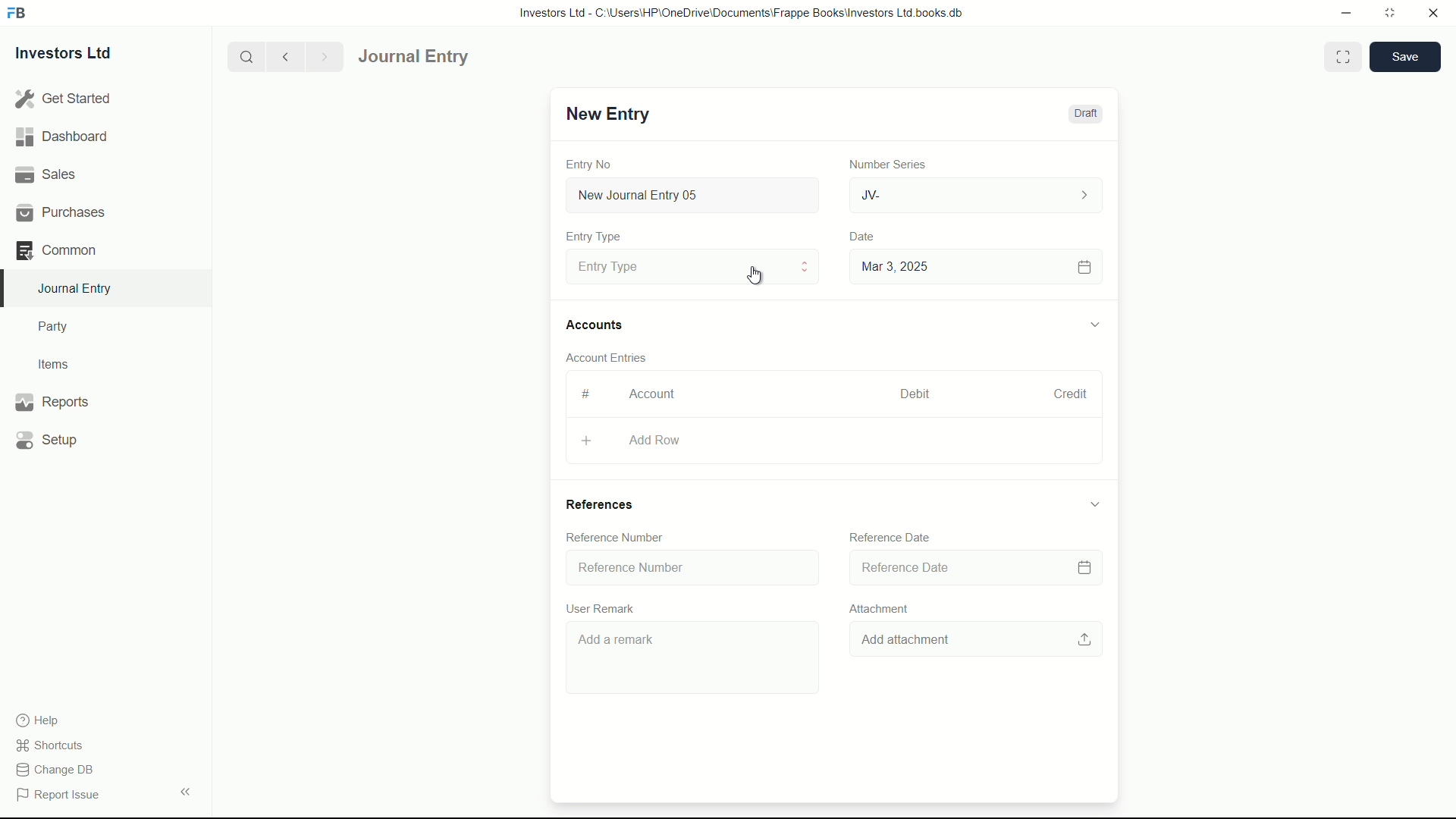 Image resolution: width=1456 pixels, height=819 pixels. What do you see at coordinates (743, 12) in the screenshot?
I see `Investors Ltd - C:\Users\HP\OneDrive\Documents\Frappe Books\Investors Ltd books.db` at bounding box center [743, 12].